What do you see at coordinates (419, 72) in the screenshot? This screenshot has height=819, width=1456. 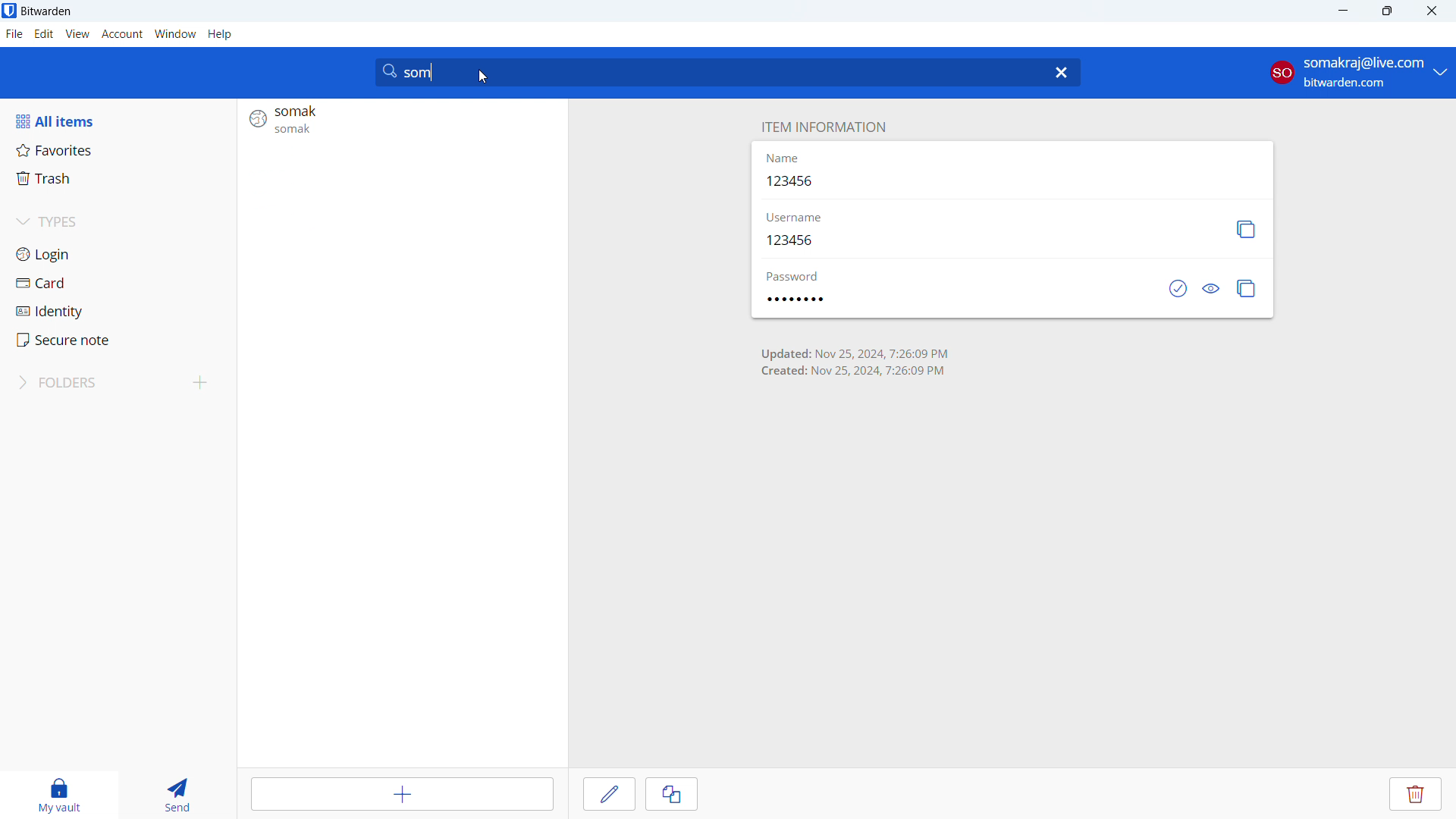 I see `search string` at bounding box center [419, 72].